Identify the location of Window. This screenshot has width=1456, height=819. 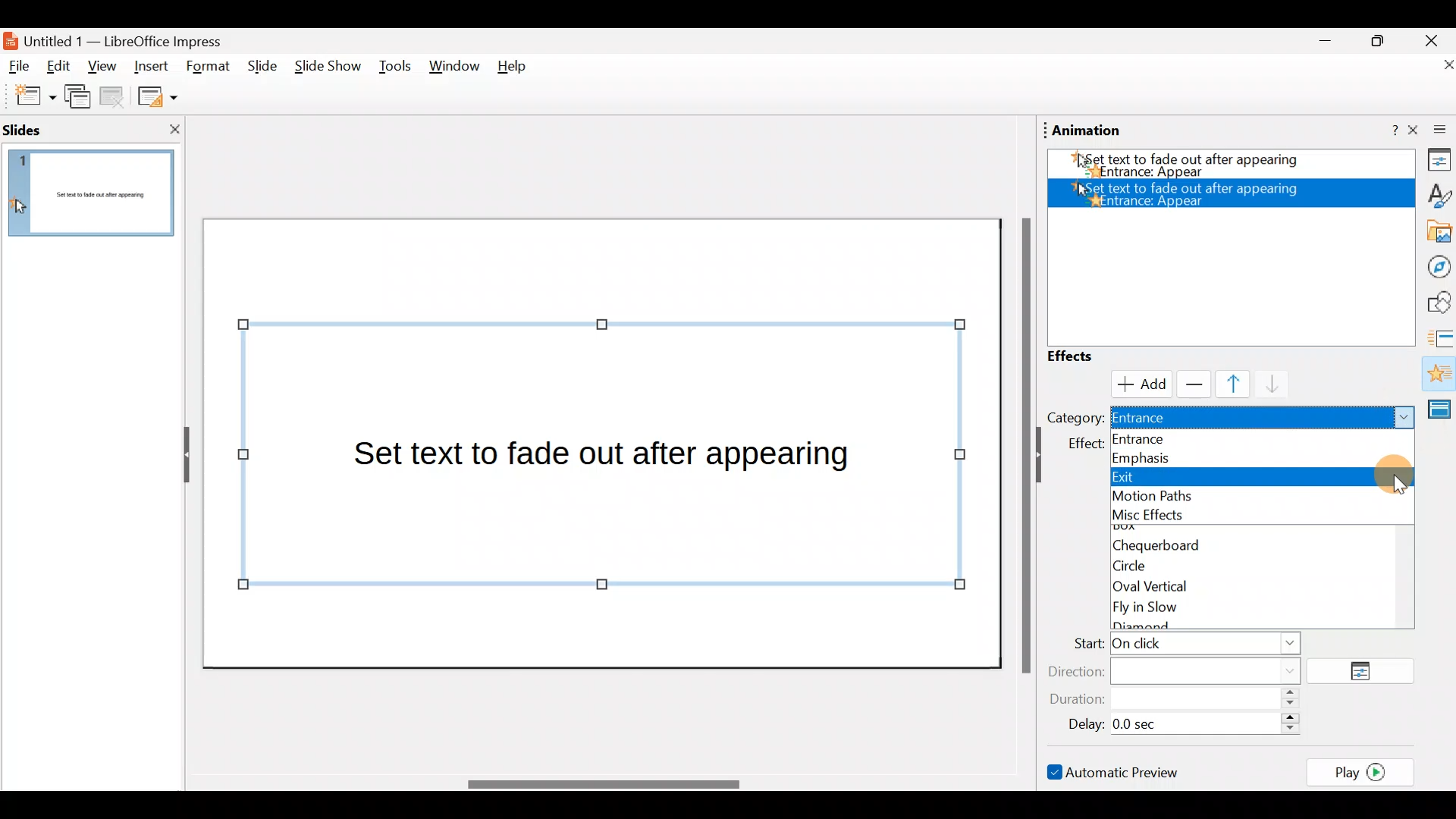
(455, 70).